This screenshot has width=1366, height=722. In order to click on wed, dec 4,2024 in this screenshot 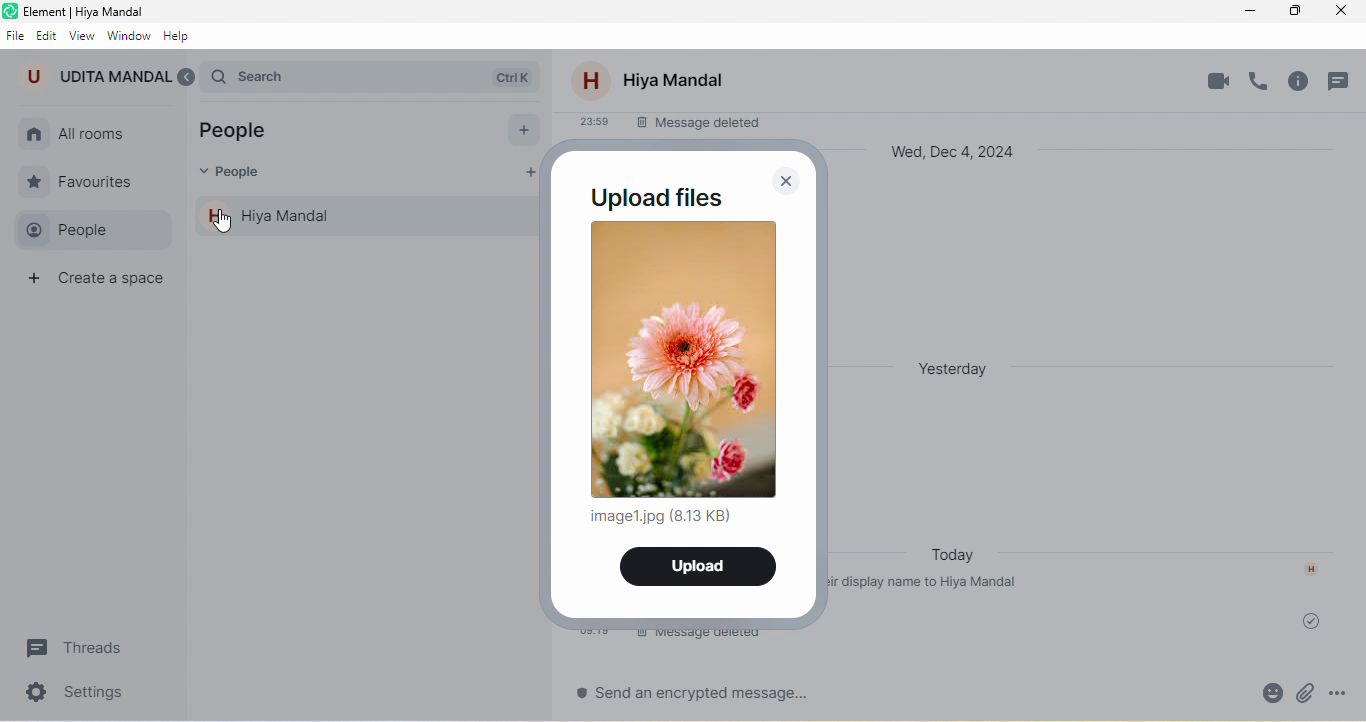, I will do `click(961, 154)`.